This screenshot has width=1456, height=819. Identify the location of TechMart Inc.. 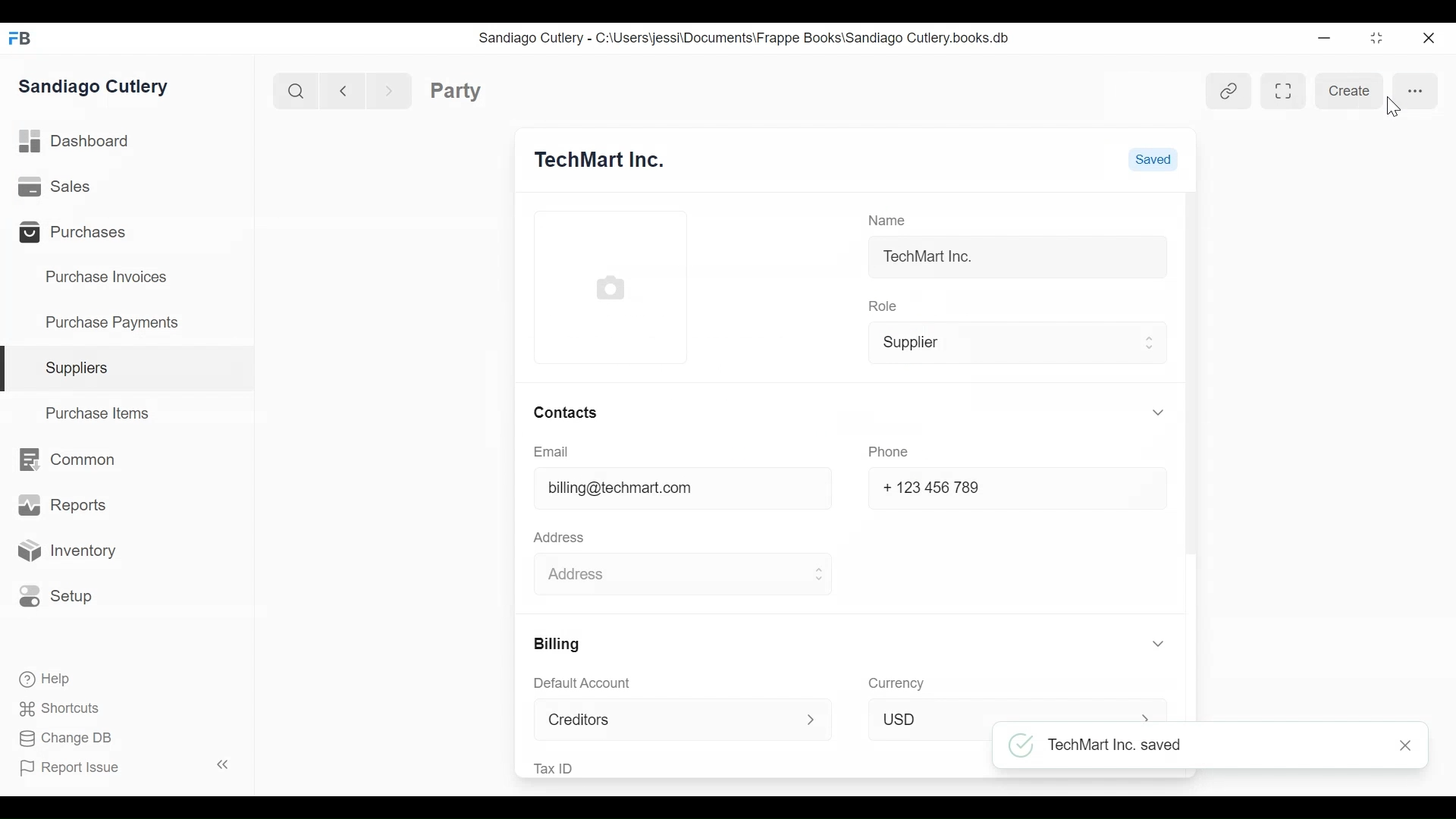
(616, 159).